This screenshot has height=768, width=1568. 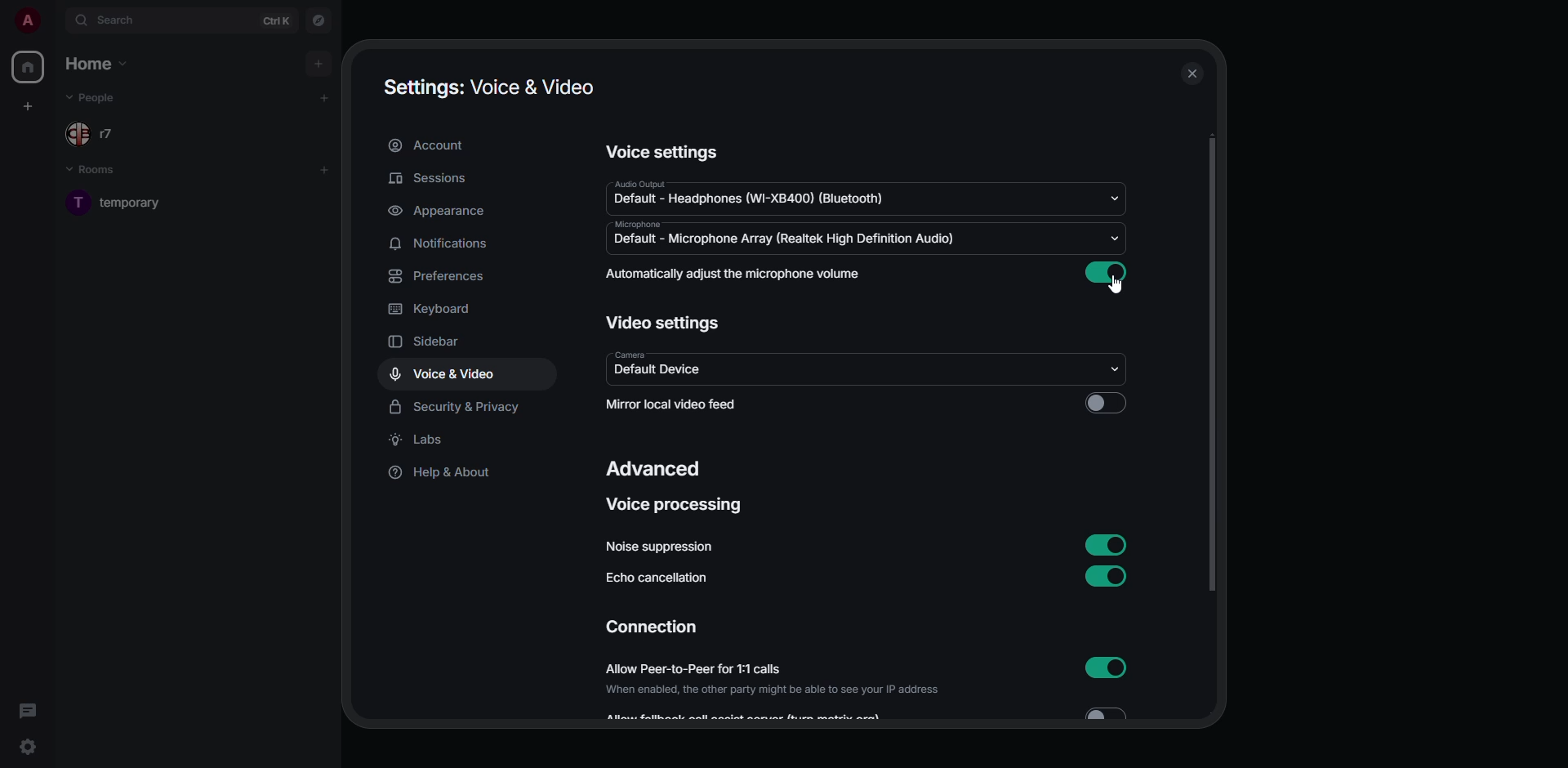 I want to click on sidebar, so click(x=425, y=343).